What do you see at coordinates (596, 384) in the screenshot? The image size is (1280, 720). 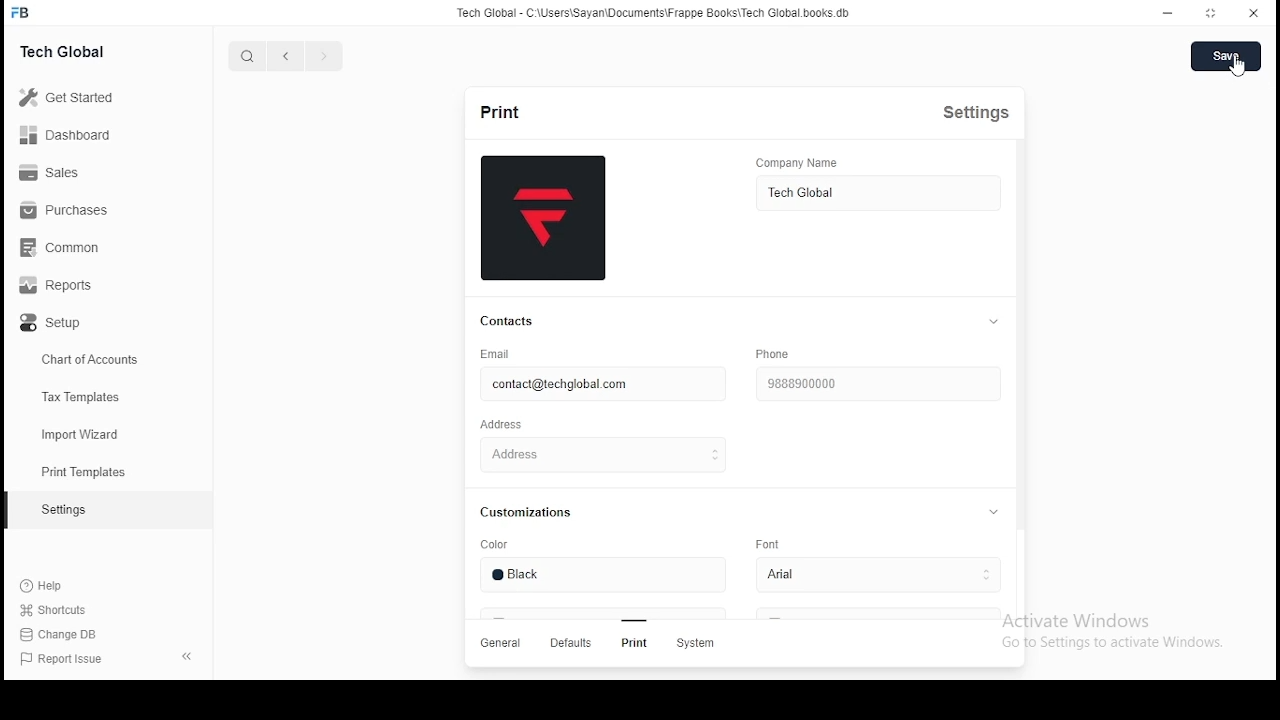 I see `EMAIL INPUT BOX` at bounding box center [596, 384].